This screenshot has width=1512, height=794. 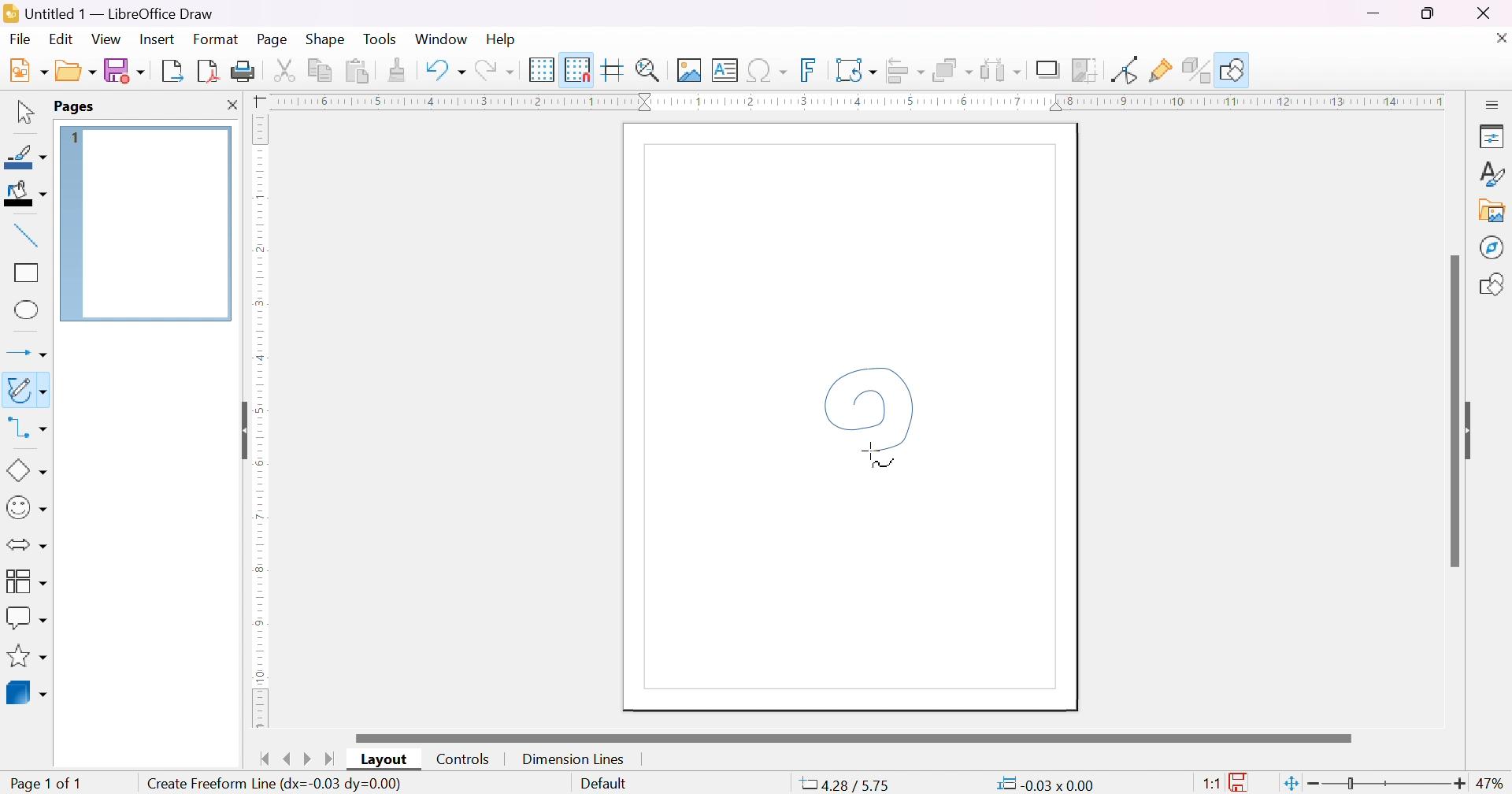 I want to click on insert line, so click(x=27, y=236).